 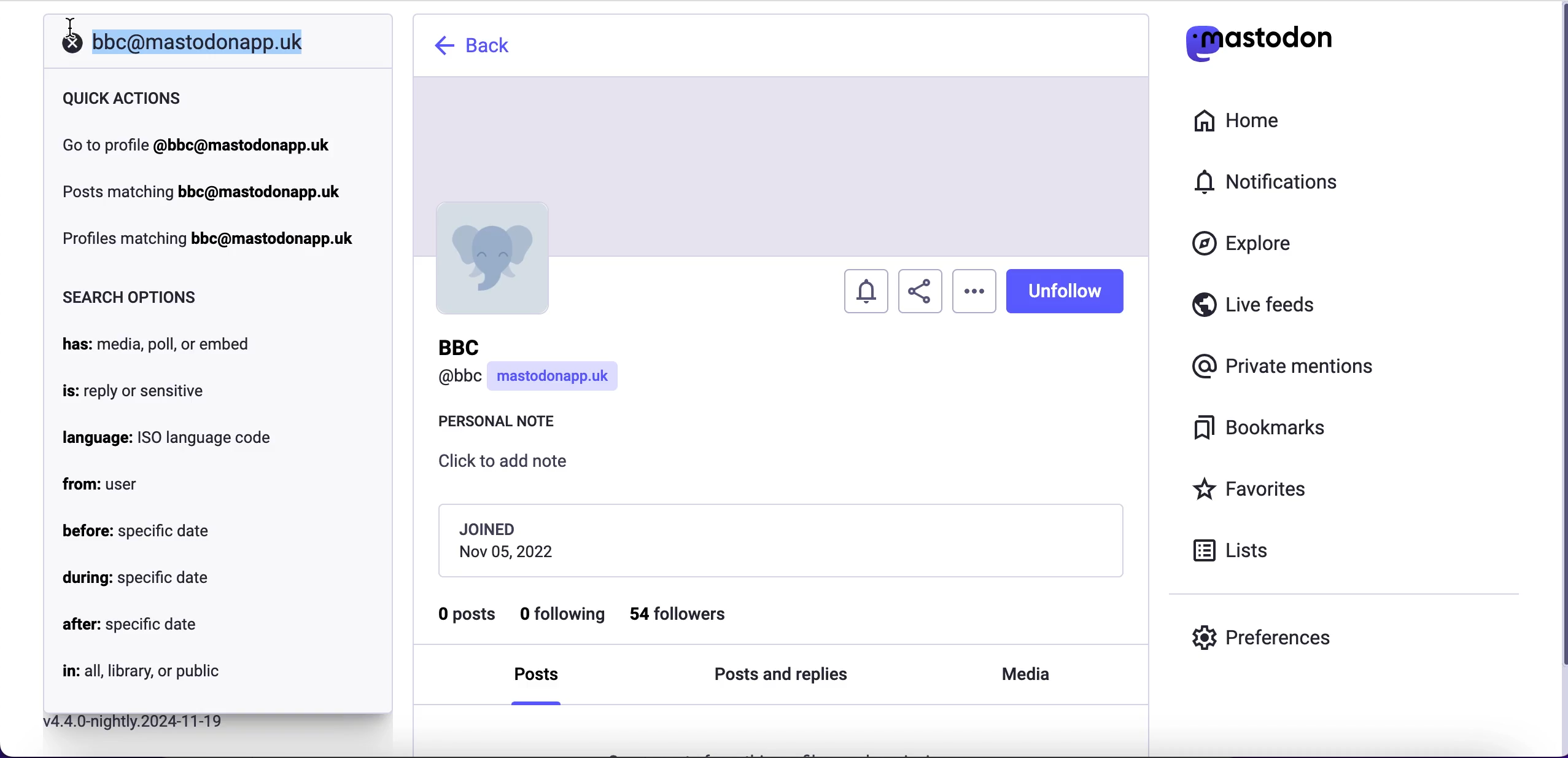 I want to click on is: reply or sensitive, so click(x=133, y=393).